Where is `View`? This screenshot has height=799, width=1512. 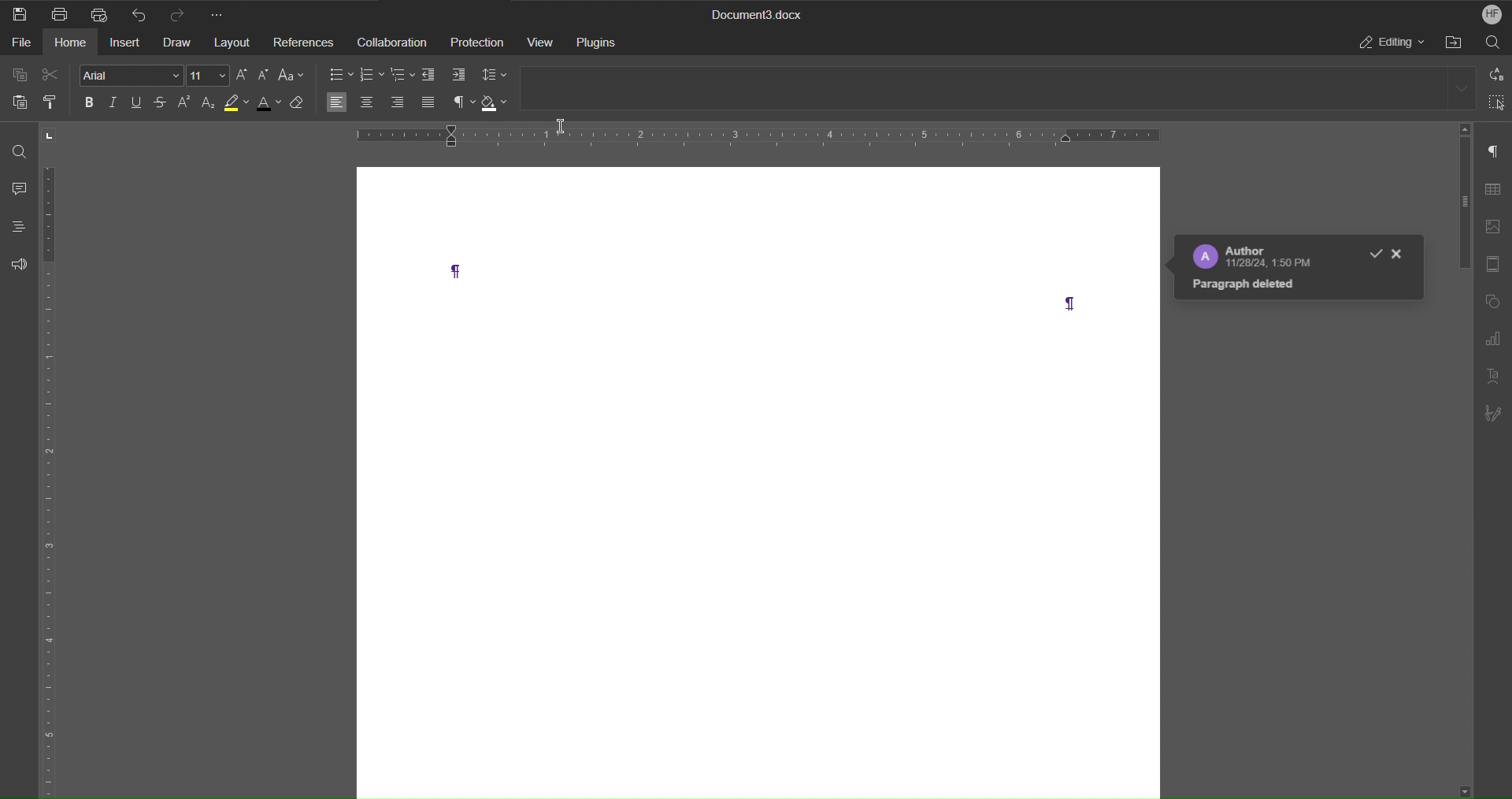
View is located at coordinates (543, 40).